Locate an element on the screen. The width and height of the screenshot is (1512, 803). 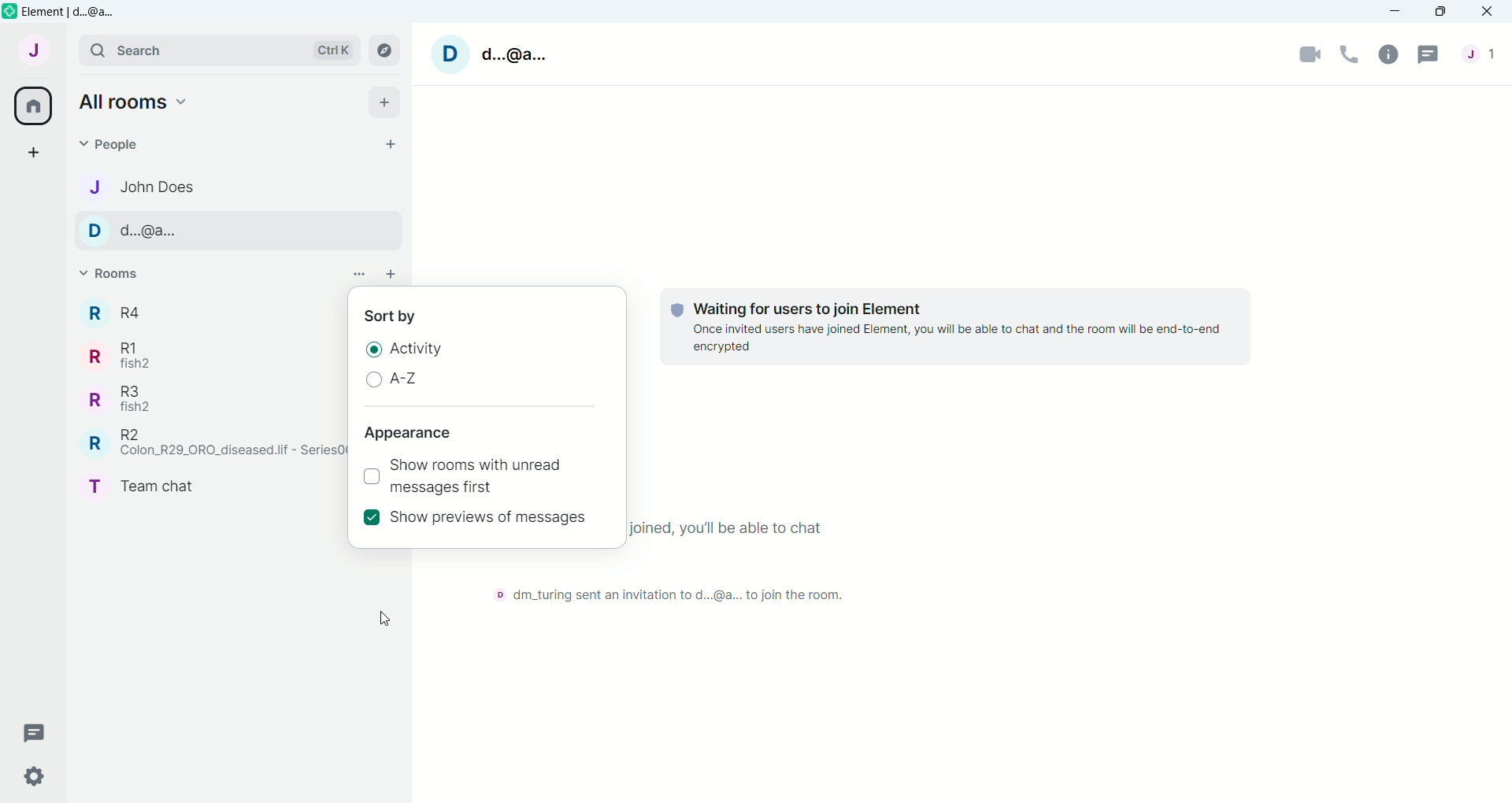
explore rooms is located at coordinates (384, 50).